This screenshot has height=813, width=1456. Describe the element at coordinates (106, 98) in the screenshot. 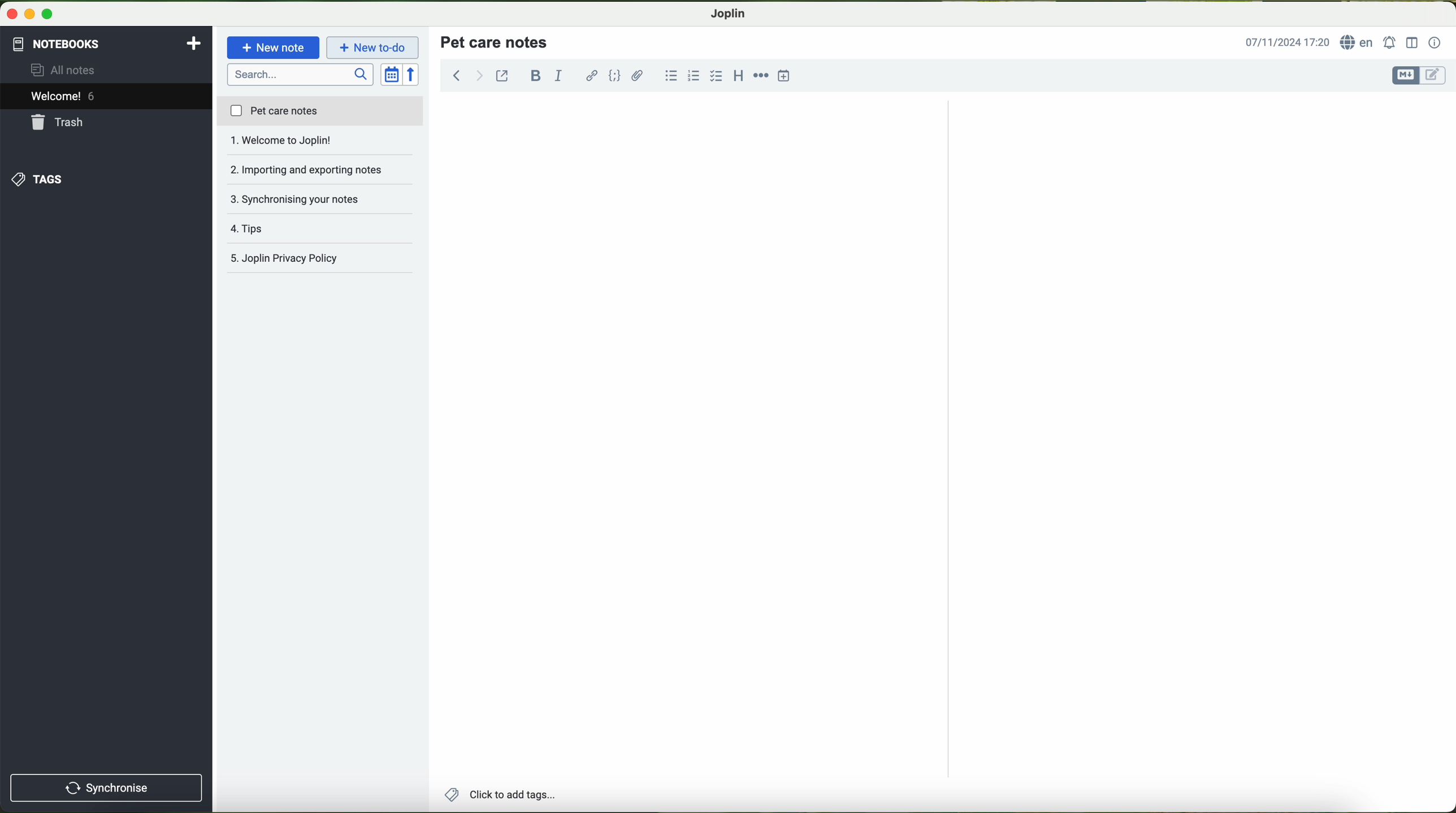

I see `welcome` at that location.